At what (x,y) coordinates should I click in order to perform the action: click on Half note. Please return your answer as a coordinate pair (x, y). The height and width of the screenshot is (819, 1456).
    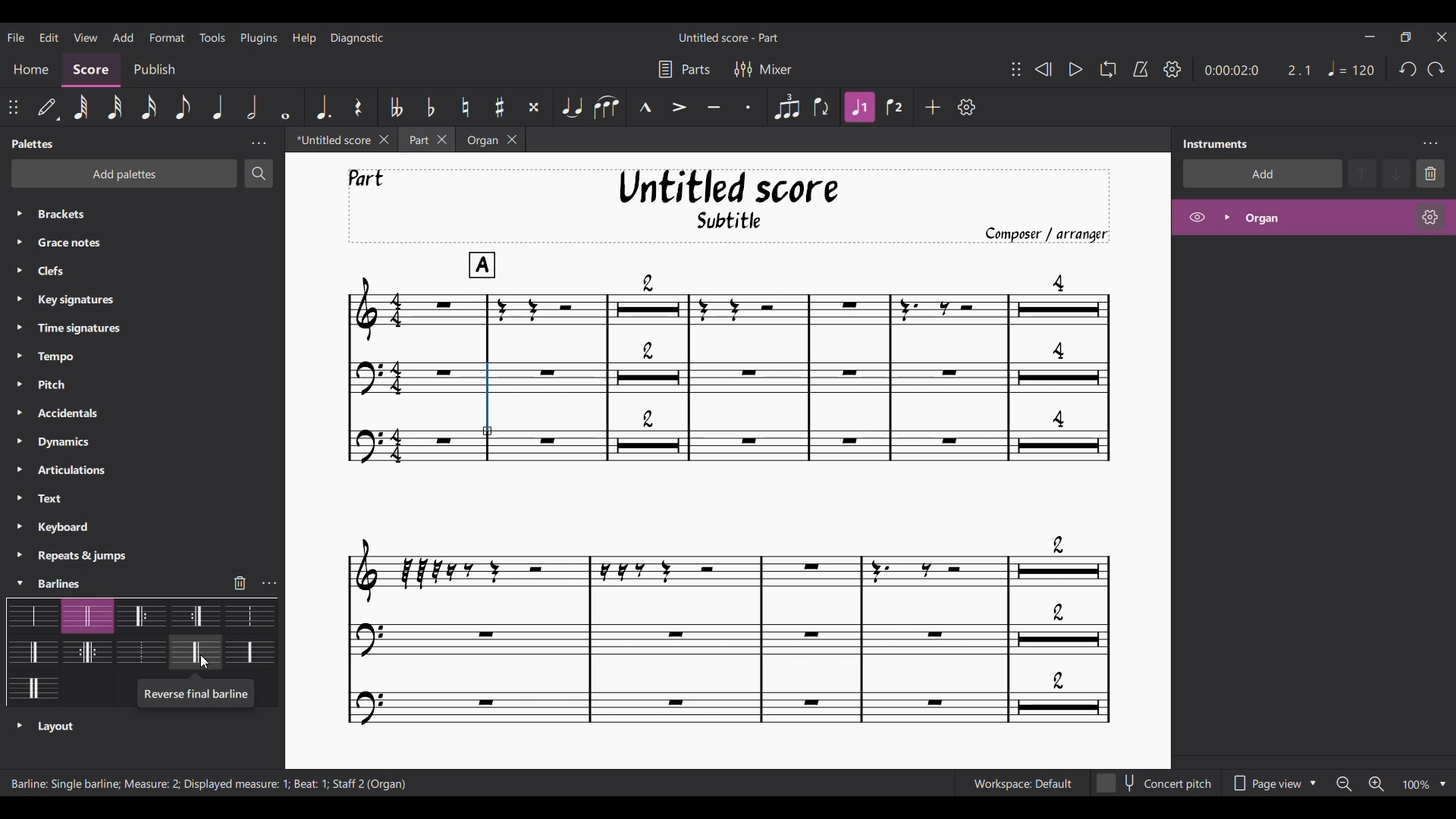
    Looking at the image, I should click on (252, 106).